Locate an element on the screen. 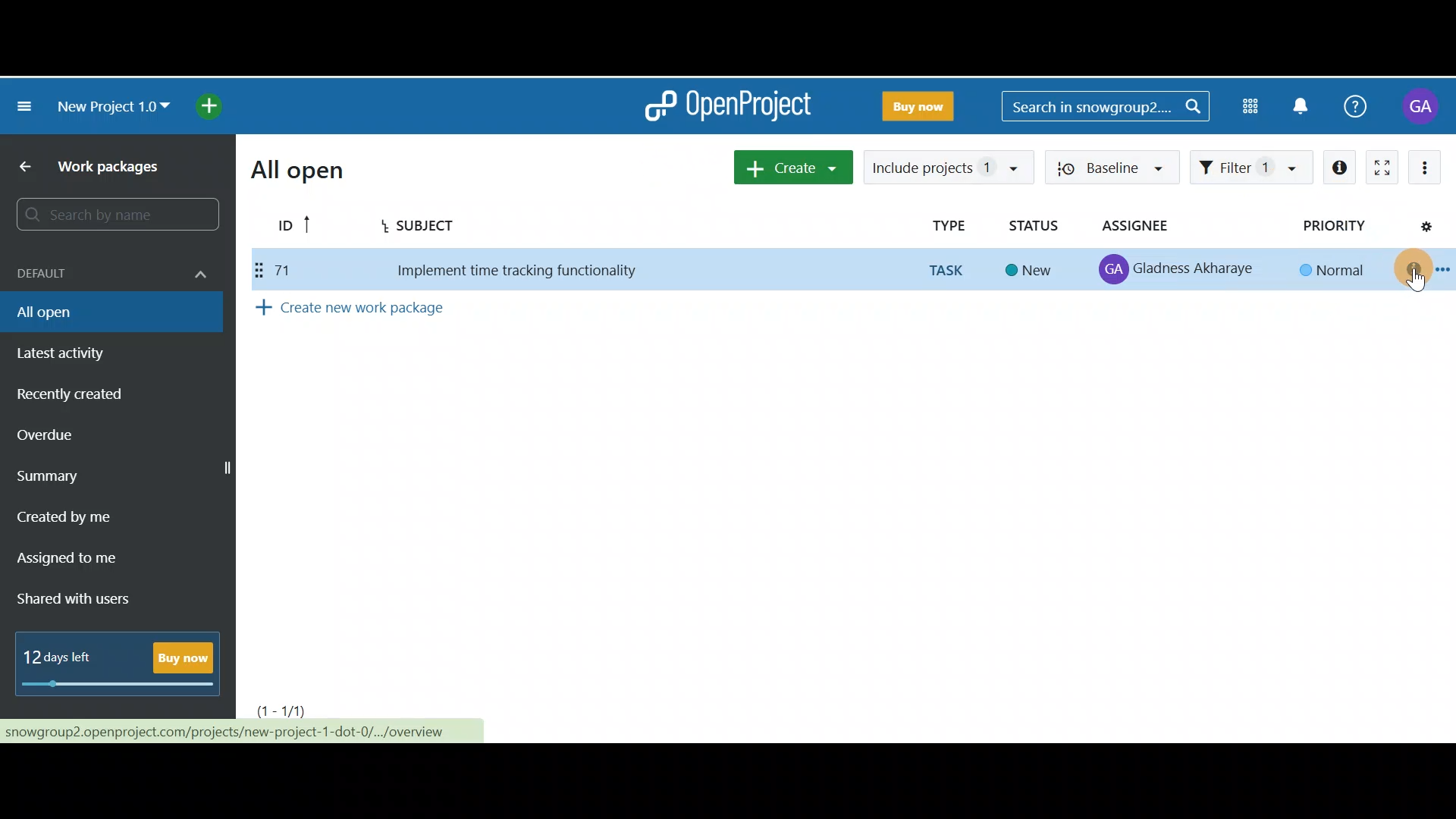 The image size is (1456, 819). Overdue is located at coordinates (64, 434).